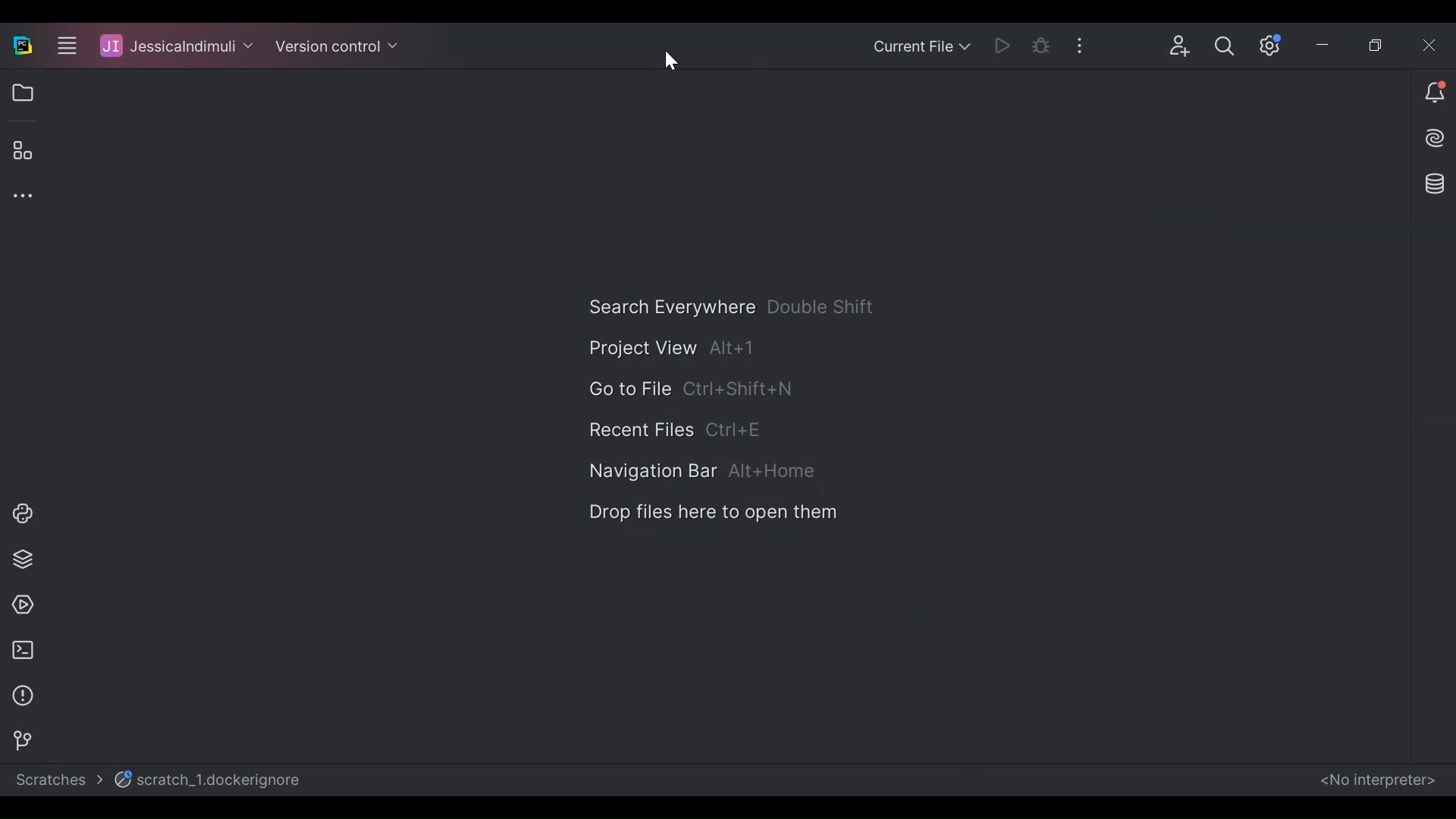  What do you see at coordinates (17, 512) in the screenshot?
I see `Python Console` at bounding box center [17, 512].